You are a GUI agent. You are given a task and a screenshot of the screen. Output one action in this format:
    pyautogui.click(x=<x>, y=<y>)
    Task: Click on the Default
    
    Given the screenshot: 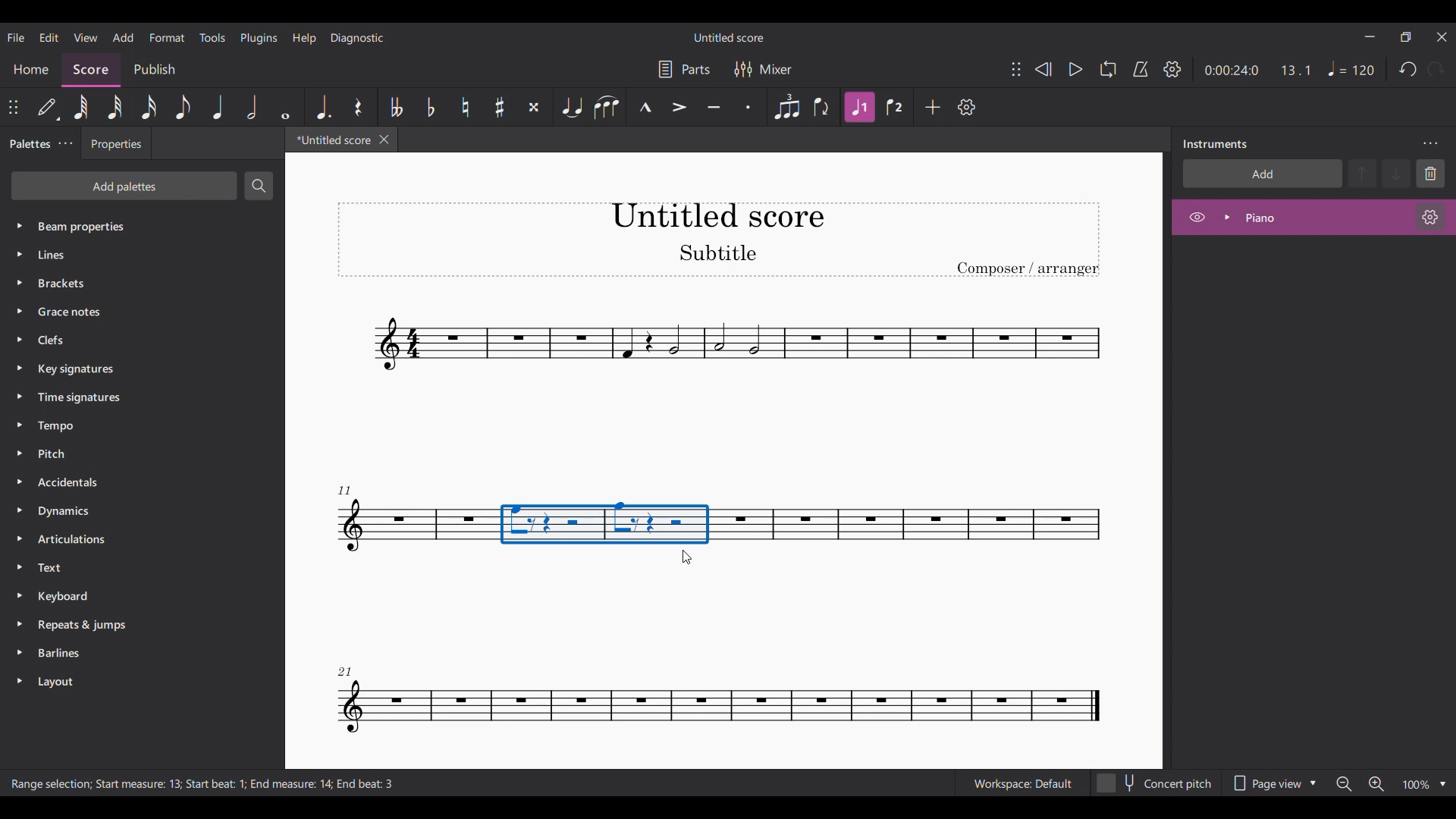 What is the action you would take?
    pyautogui.click(x=49, y=107)
    